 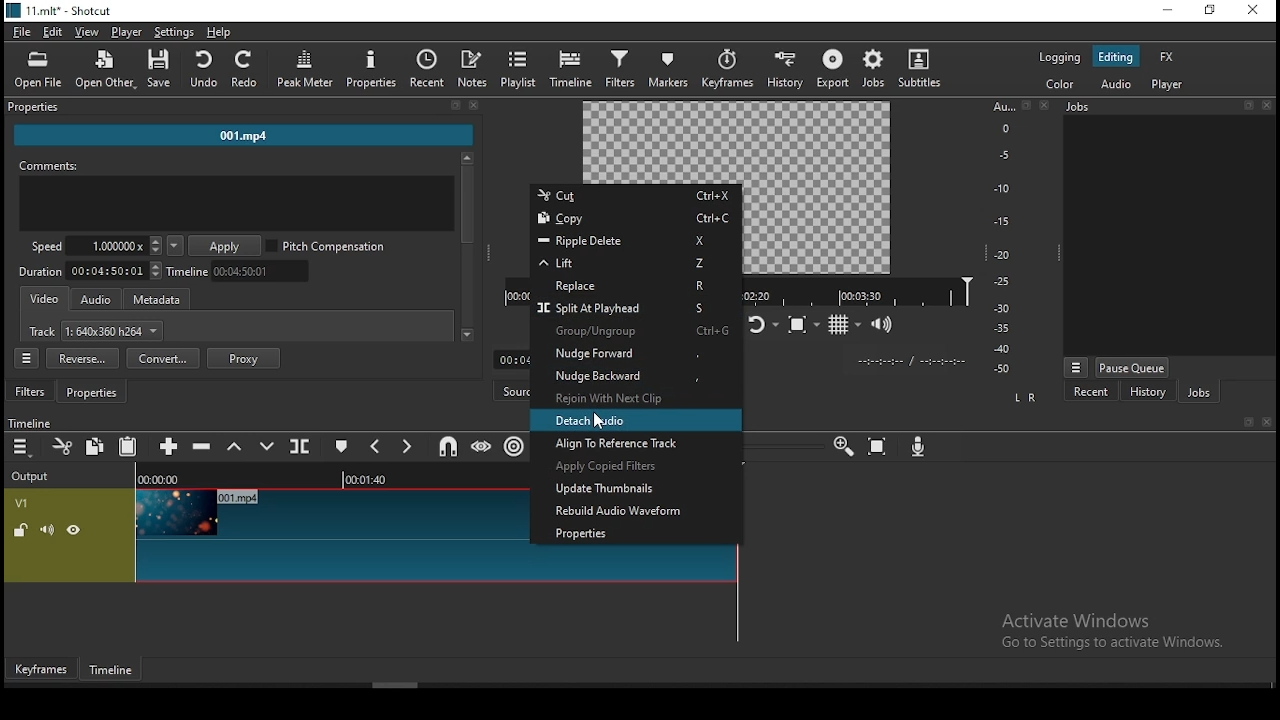 What do you see at coordinates (817, 188) in the screenshot?
I see `video preview` at bounding box center [817, 188].